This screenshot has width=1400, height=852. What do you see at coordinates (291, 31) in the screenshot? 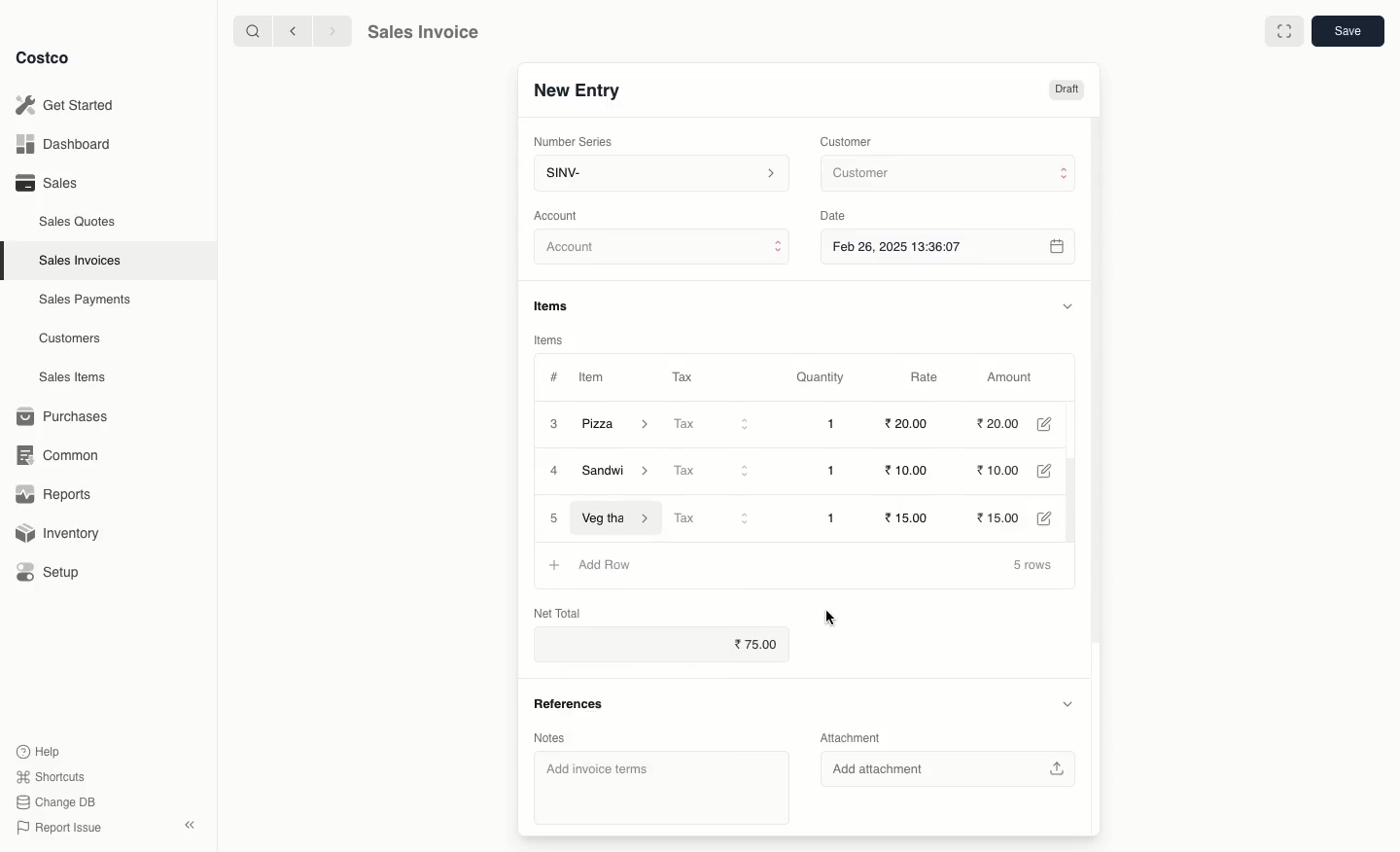
I see `Back` at bounding box center [291, 31].